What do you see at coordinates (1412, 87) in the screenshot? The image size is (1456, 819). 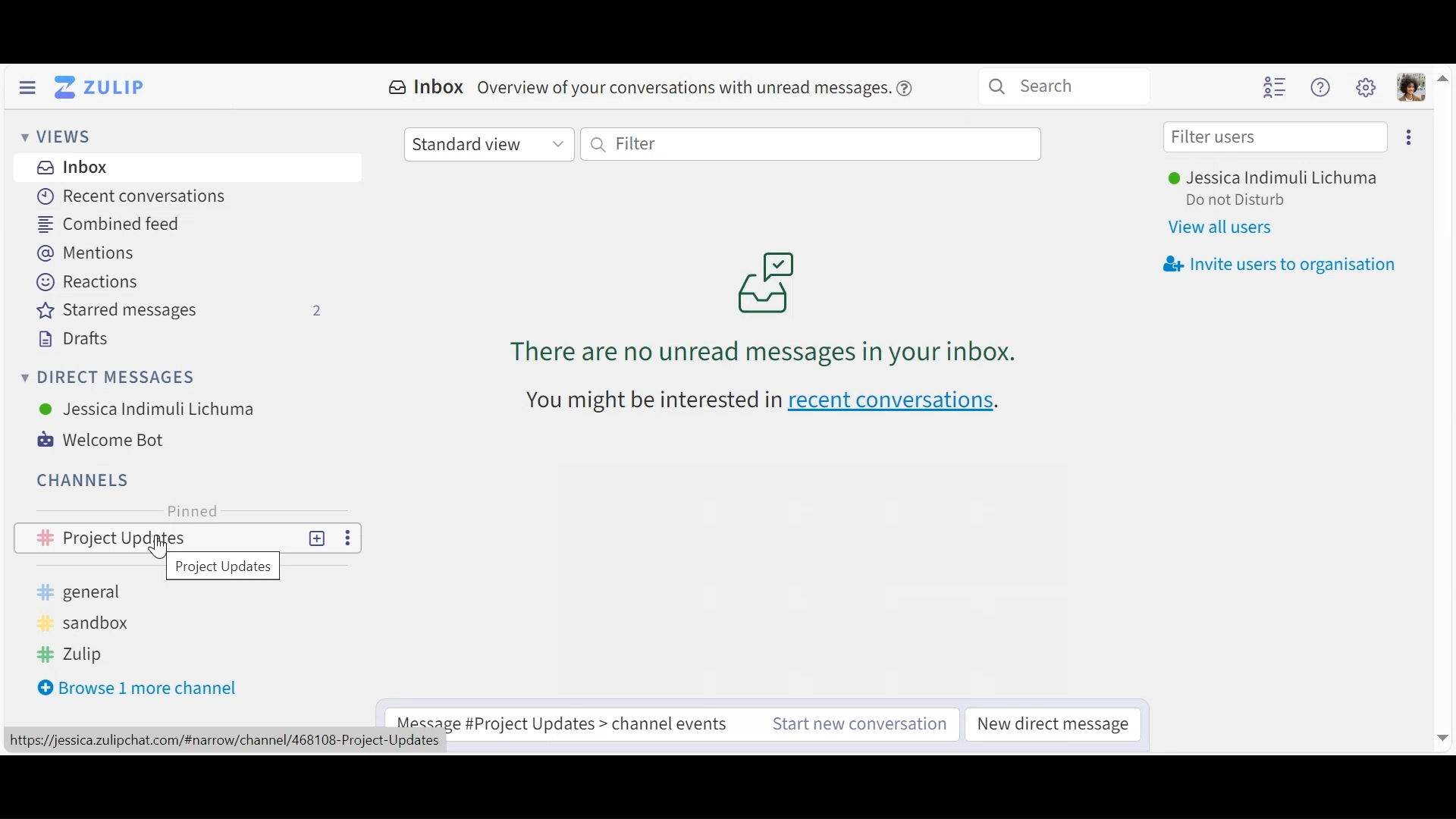 I see `Personal menu` at bounding box center [1412, 87].